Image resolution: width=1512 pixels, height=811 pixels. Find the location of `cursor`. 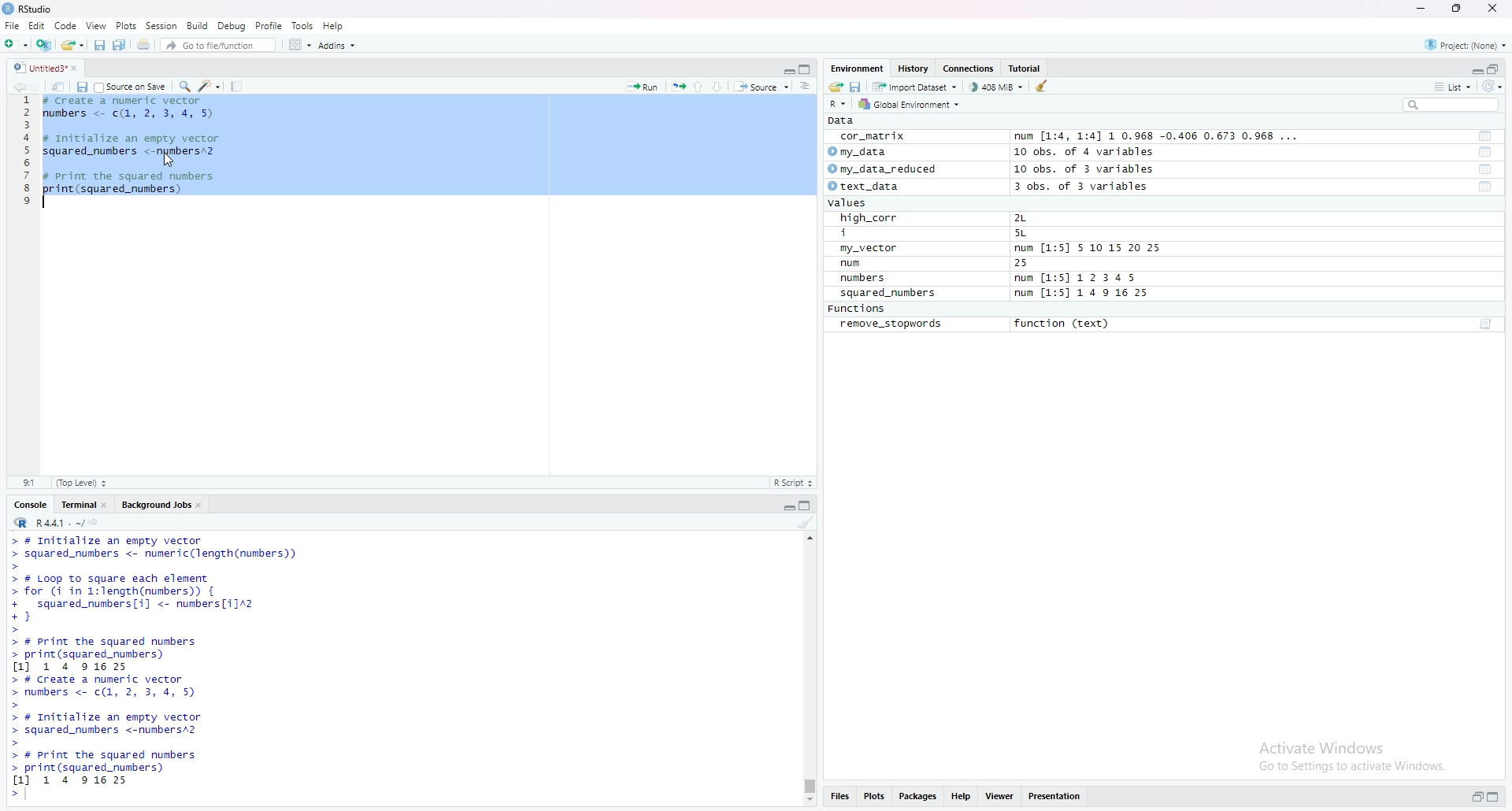

cursor is located at coordinates (168, 161).